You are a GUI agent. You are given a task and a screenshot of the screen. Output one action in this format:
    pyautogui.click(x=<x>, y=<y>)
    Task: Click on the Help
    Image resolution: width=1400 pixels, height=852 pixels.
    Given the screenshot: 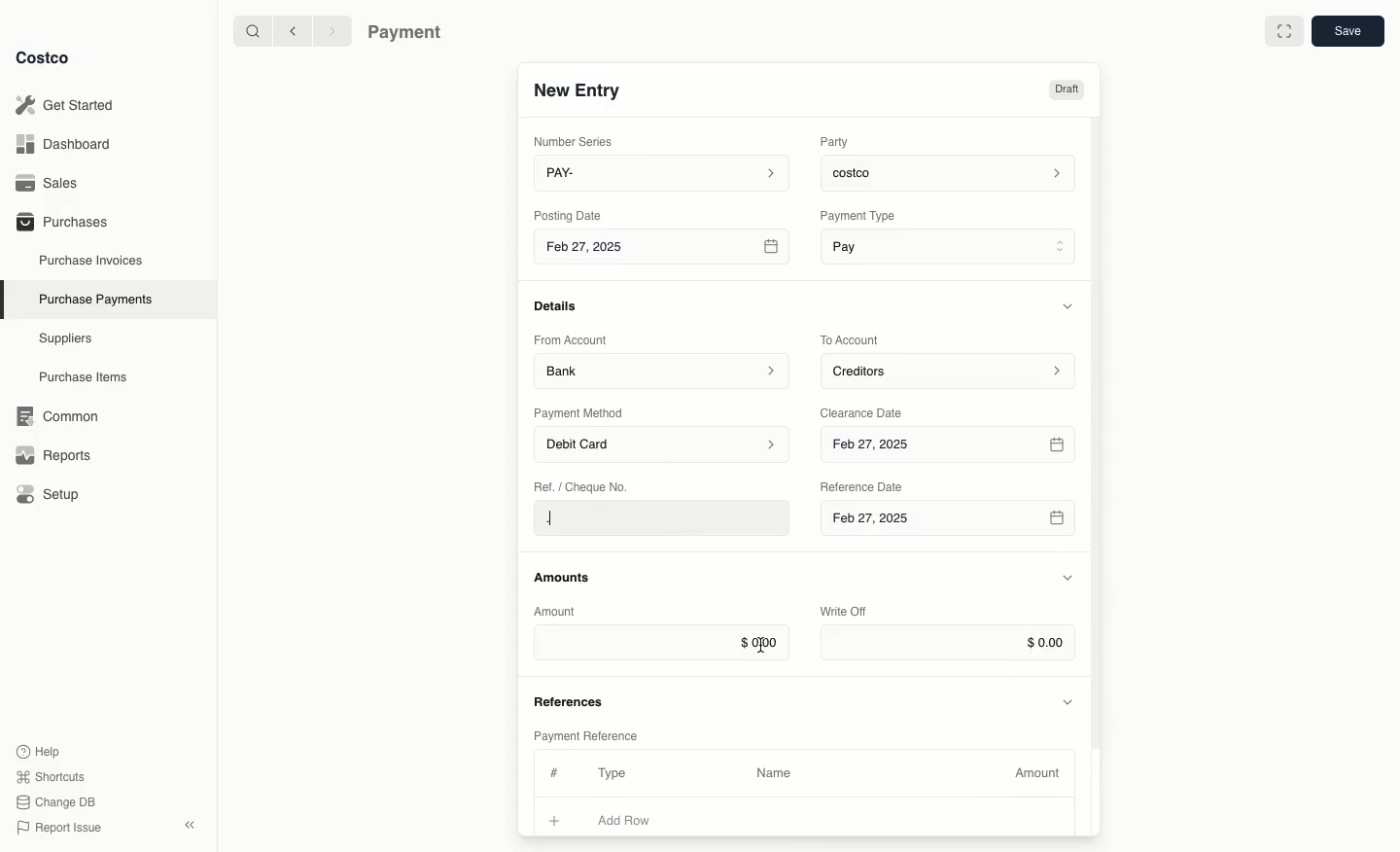 What is the action you would take?
    pyautogui.click(x=38, y=750)
    